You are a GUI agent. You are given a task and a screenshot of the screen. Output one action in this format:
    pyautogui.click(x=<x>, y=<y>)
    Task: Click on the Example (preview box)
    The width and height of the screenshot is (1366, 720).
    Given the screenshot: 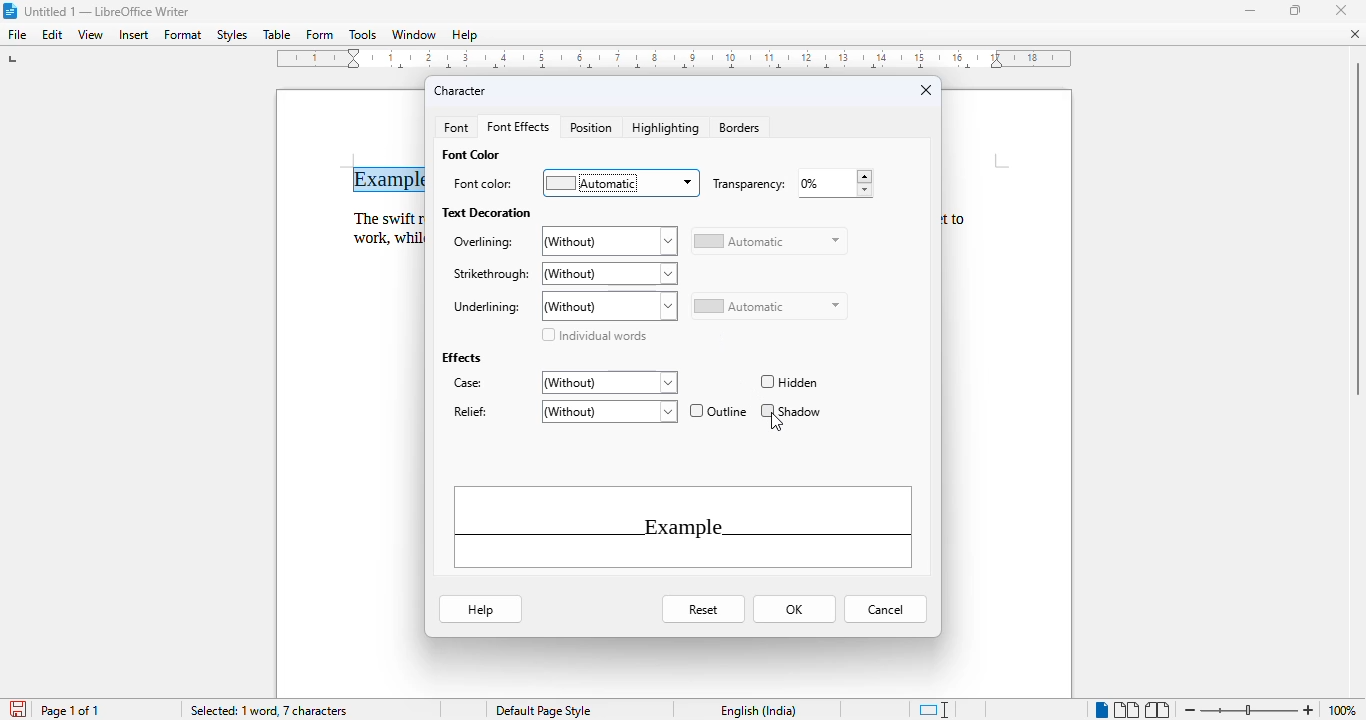 What is the action you would take?
    pyautogui.click(x=683, y=527)
    